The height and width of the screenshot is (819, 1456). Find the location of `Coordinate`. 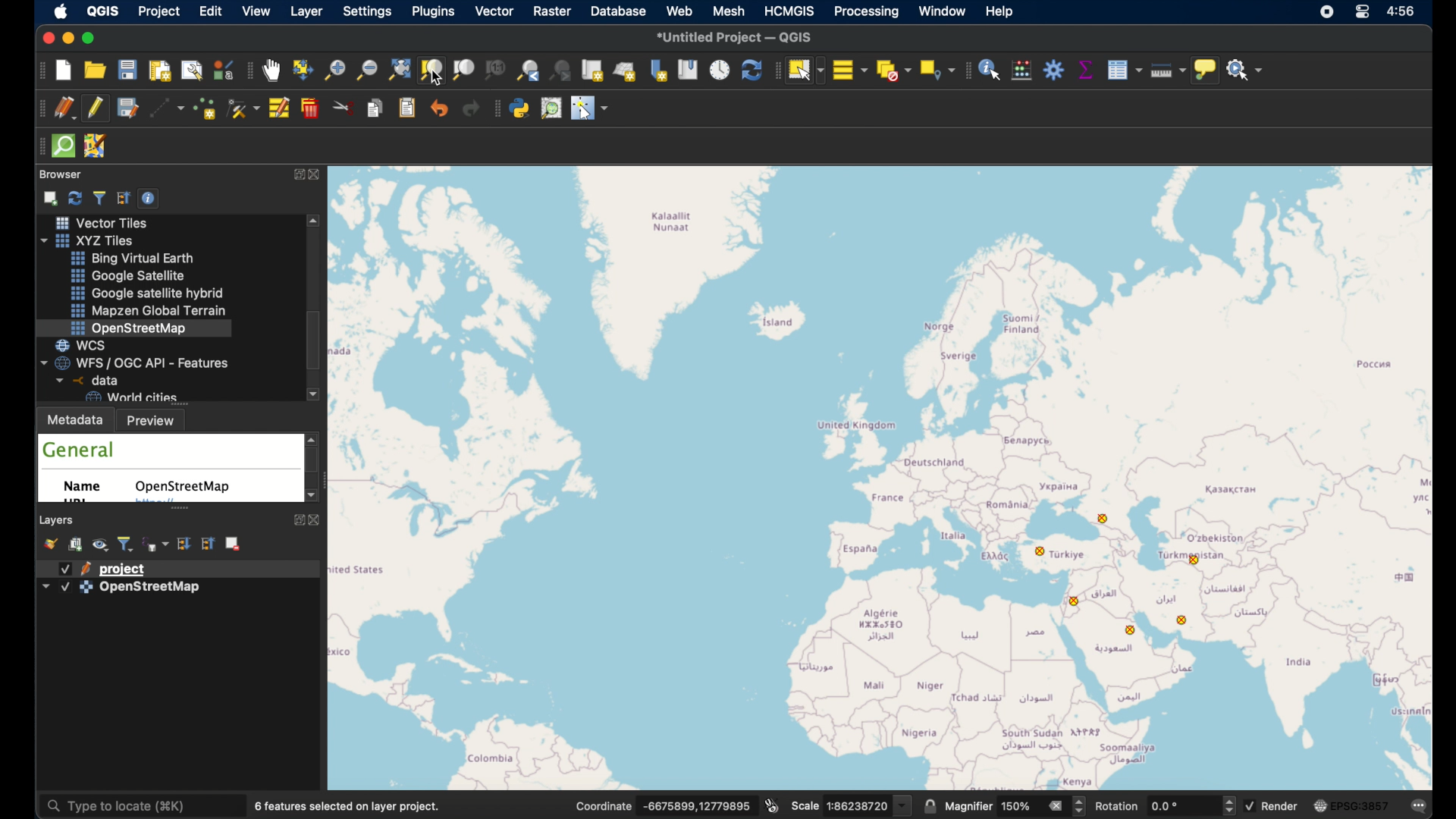

Coordinate is located at coordinates (604, 805).